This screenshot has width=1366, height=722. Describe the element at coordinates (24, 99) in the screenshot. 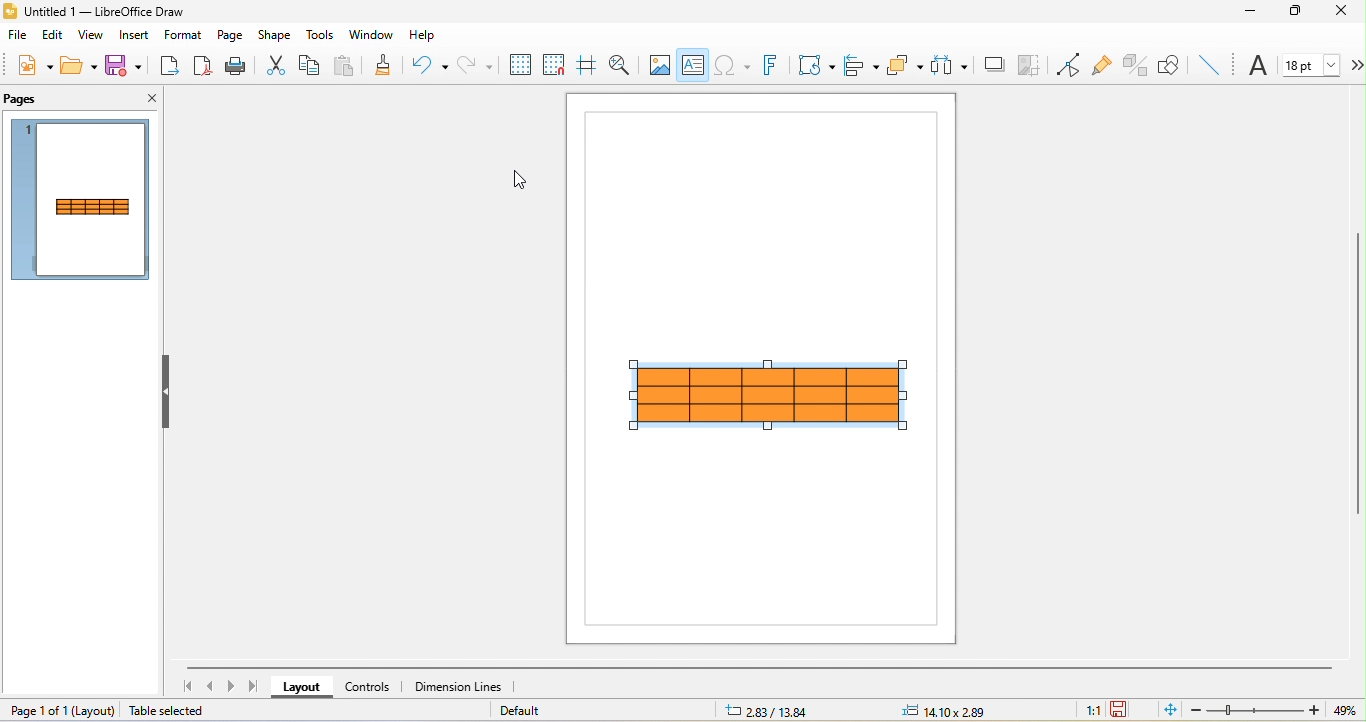

I see `pages` at that location.